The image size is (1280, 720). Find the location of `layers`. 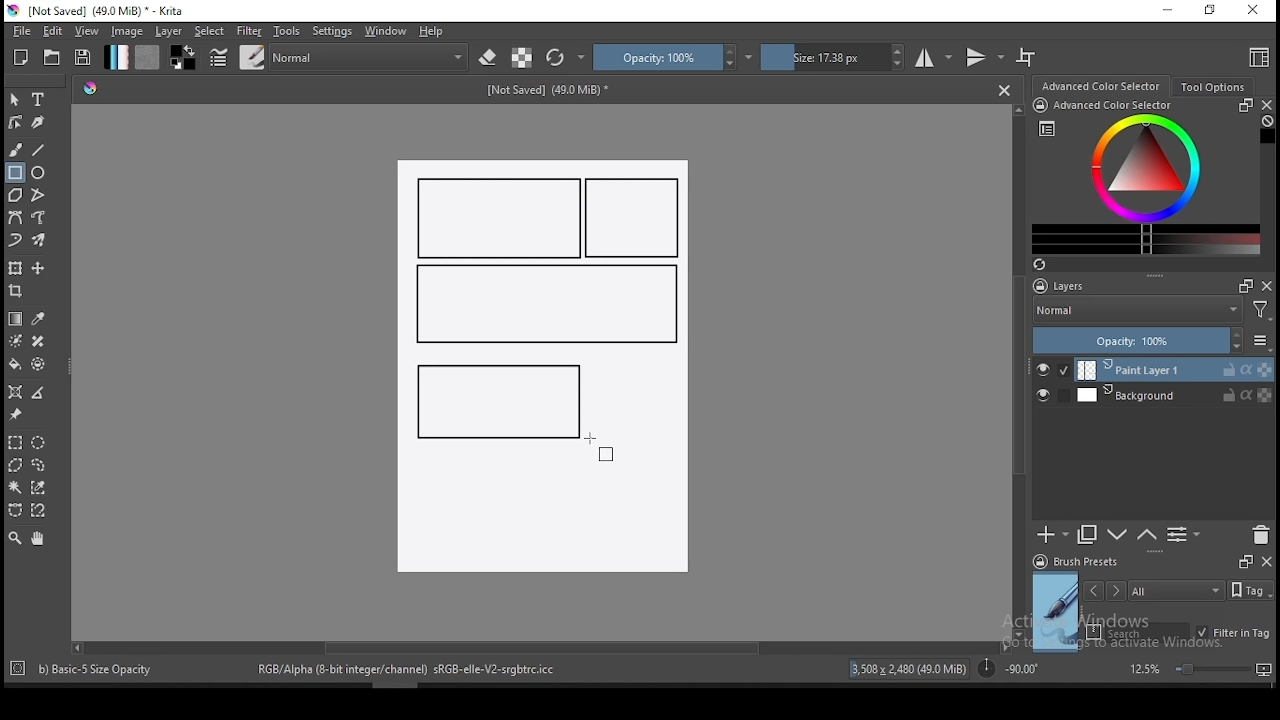

layers is located at coordinates (1065, 287).